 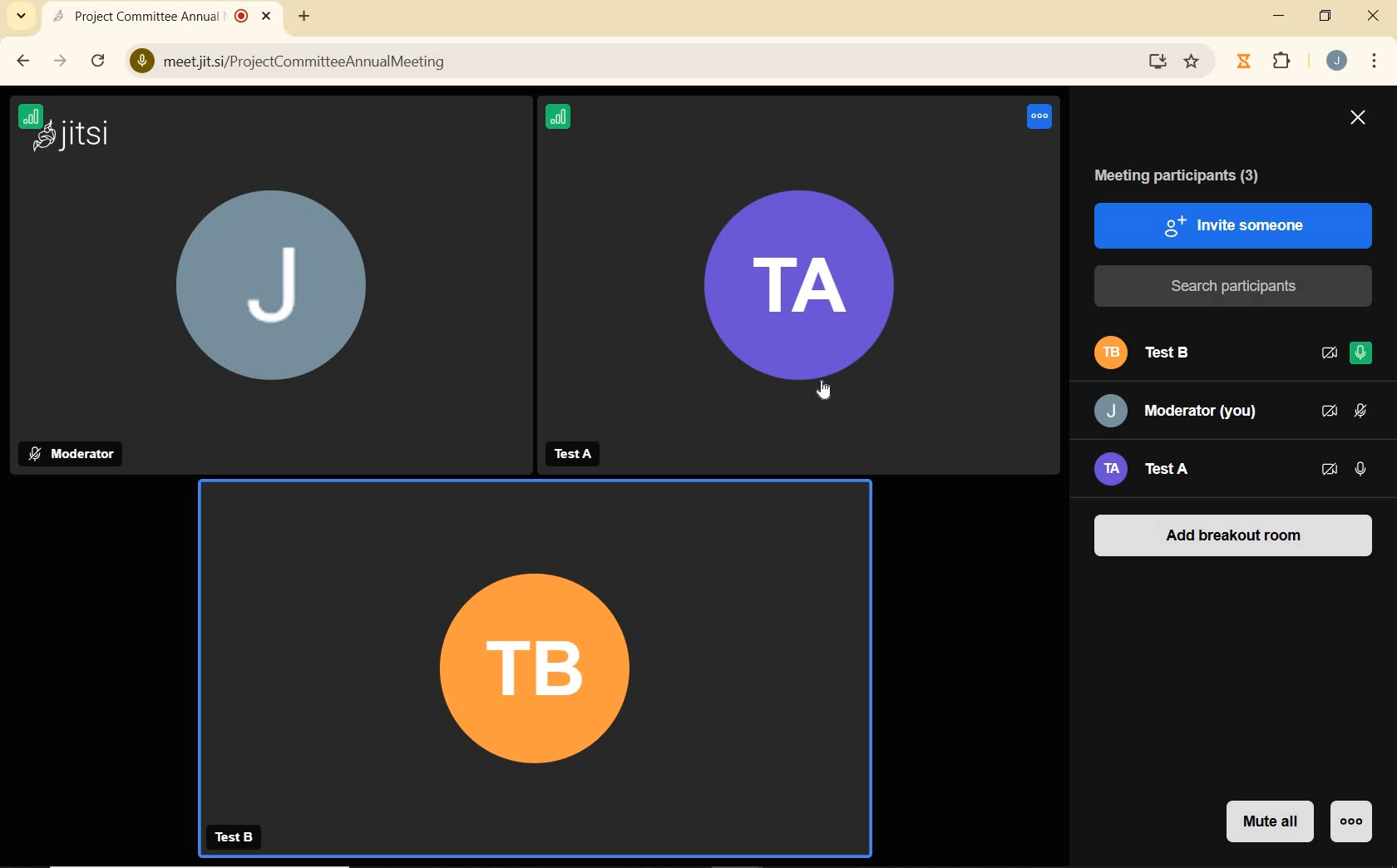 I want to click on MICROPHONE, so click(x=1362, y=411).